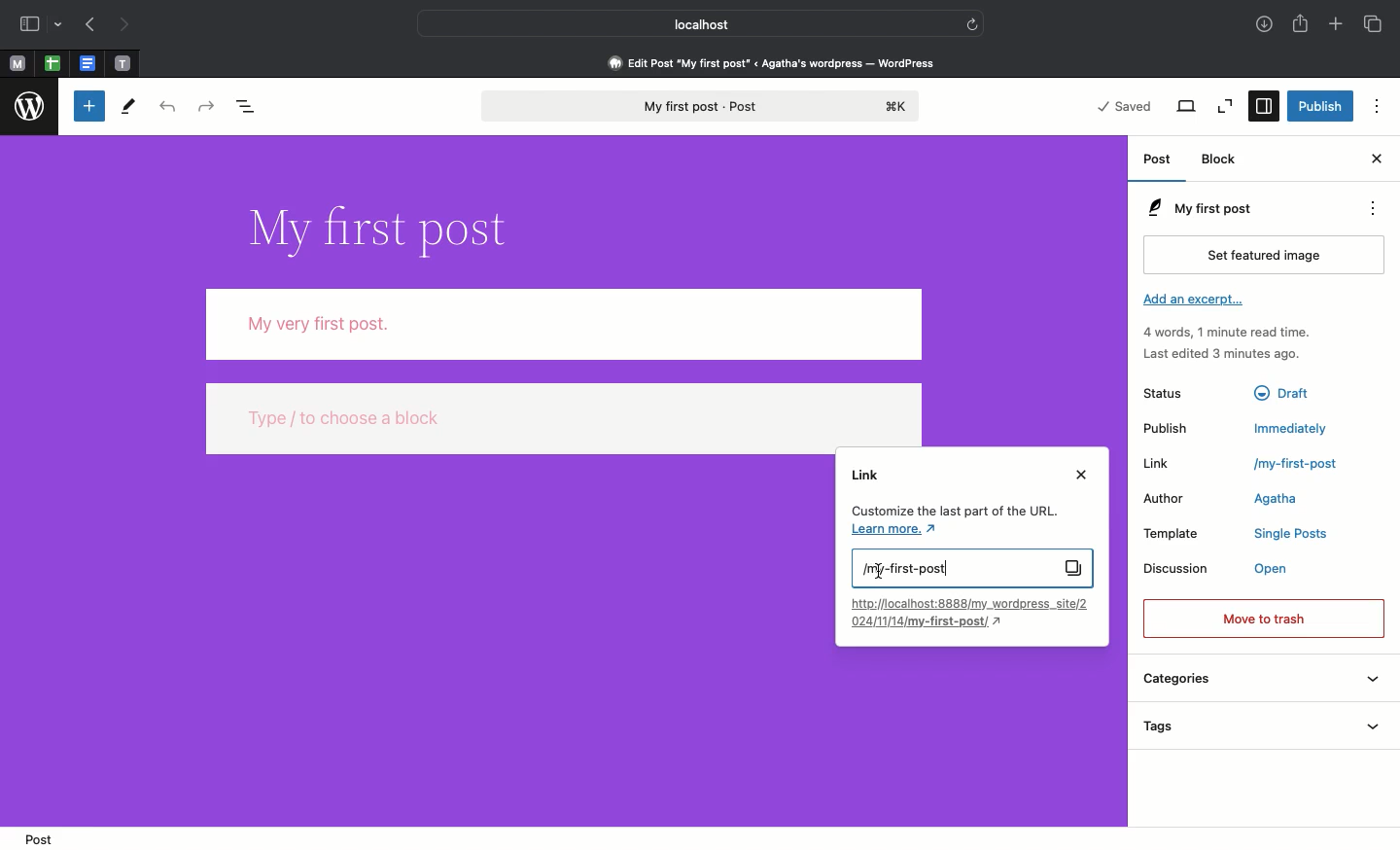  What do you see at coordinates (1264, 254) in the screenshot?
I see `Set featured image` at bounding box center [1264, 254].